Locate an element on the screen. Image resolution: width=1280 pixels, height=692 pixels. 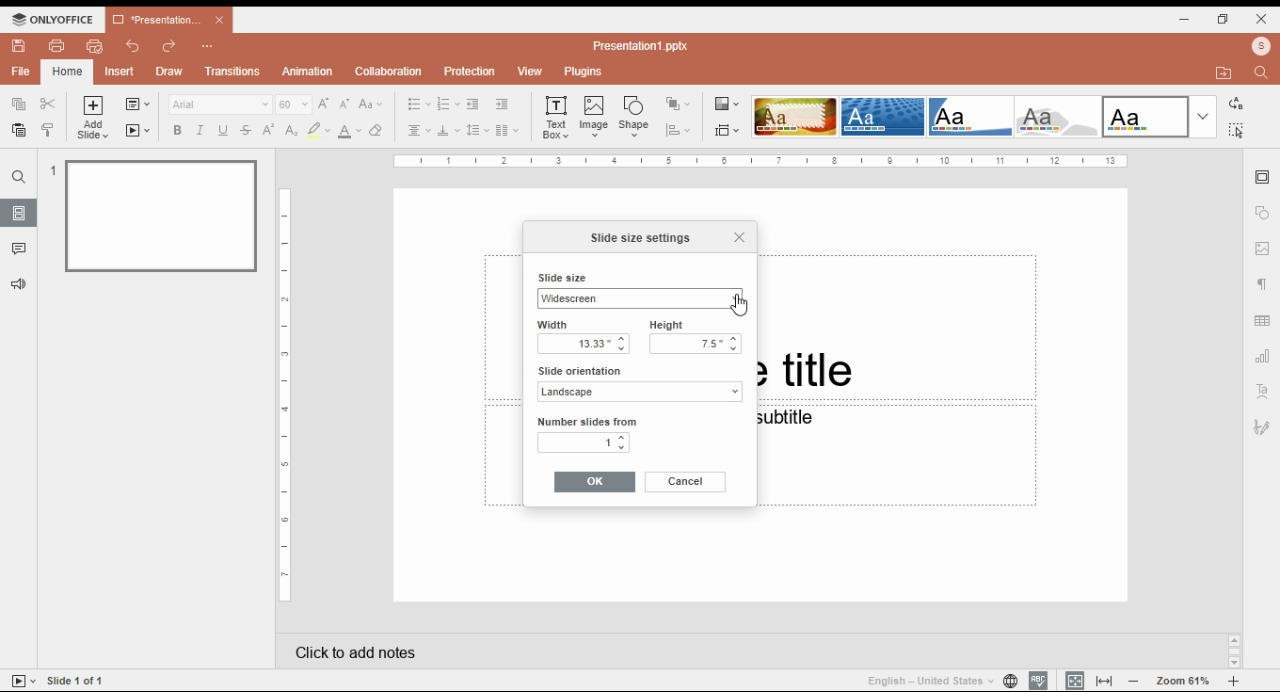
spell check is located at coordinates (1038, 680).